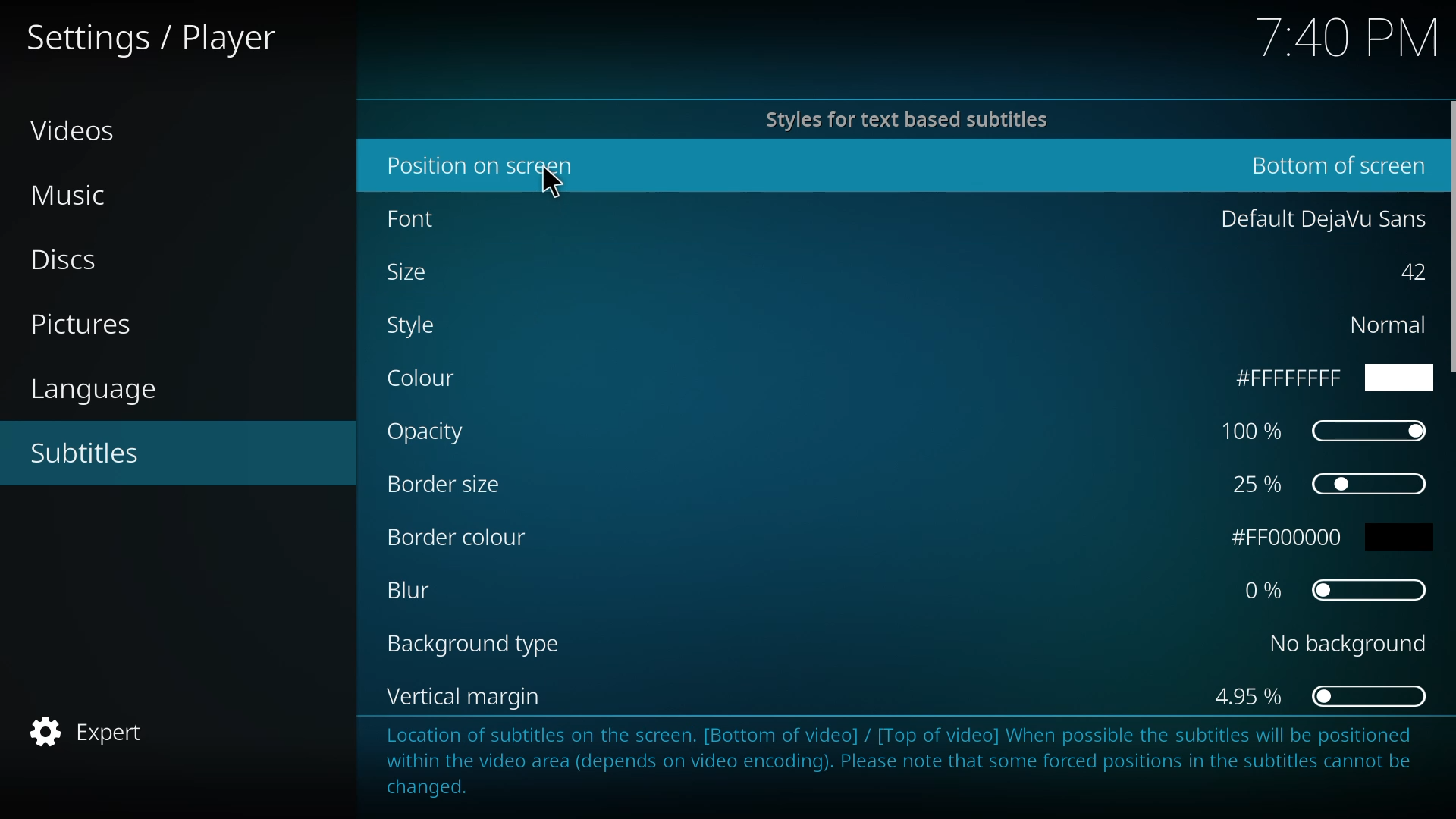 This screenshot has width=1456, height=819. What do you see at coordinates (548, 184) in the screenshot?
I see `cursor` at bounding box center [548, 184].